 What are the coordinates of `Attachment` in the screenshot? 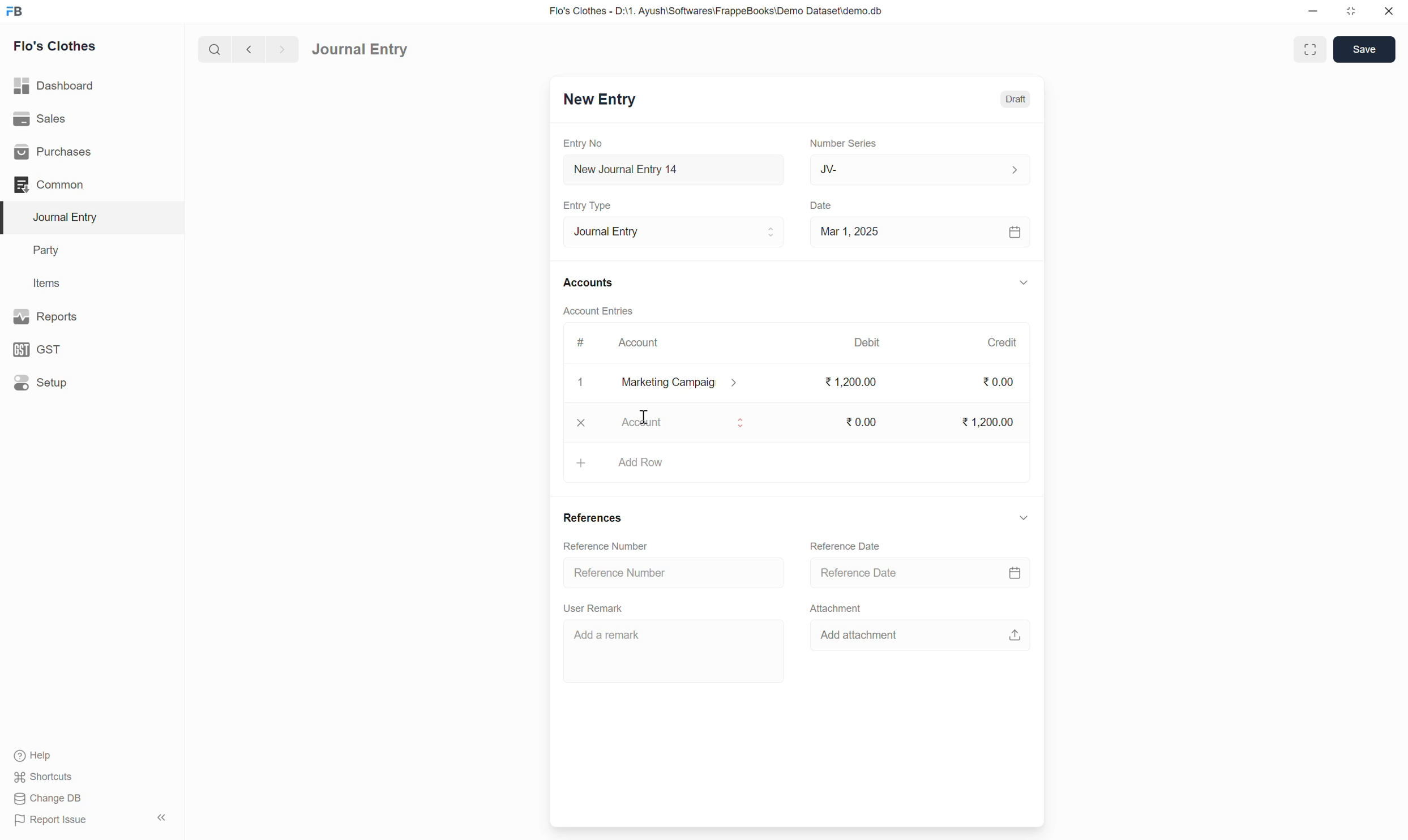 It's located at (842, 608).